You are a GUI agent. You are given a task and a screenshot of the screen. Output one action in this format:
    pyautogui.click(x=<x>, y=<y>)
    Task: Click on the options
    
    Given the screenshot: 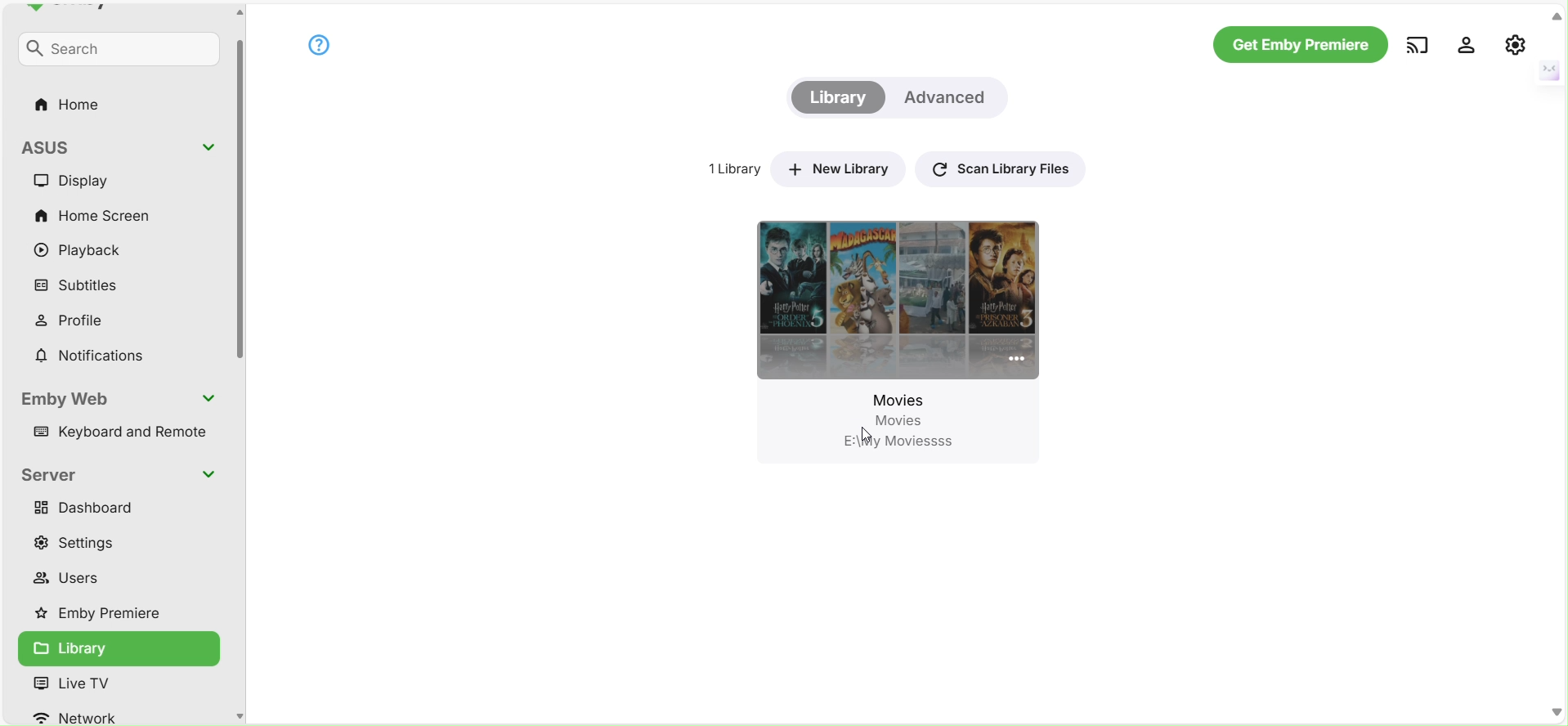 What is the action you would take?
    pyautogui.click(x=1010, y=361)
    